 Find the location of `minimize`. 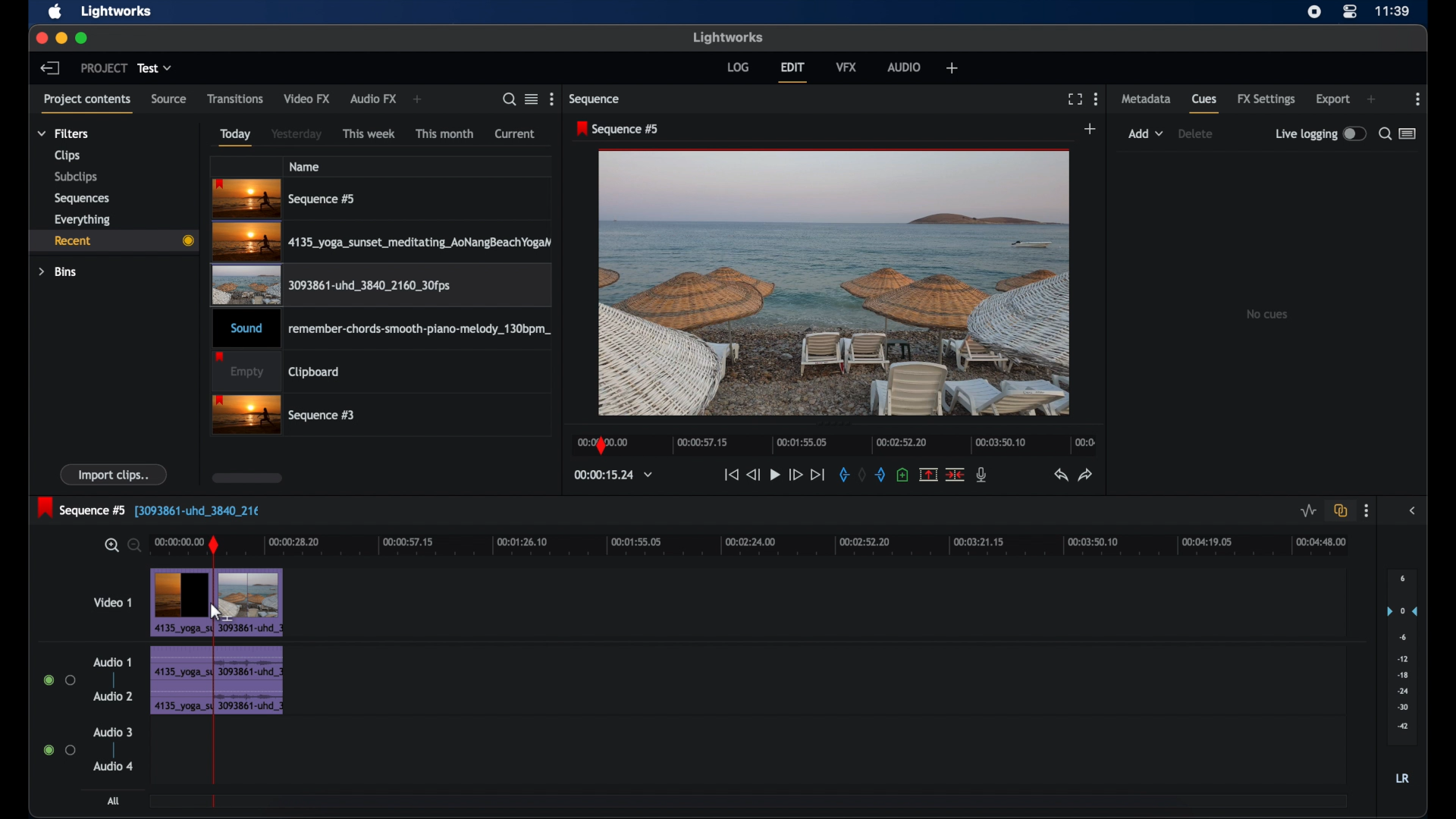

minimize is located at coordinates (62, 38).